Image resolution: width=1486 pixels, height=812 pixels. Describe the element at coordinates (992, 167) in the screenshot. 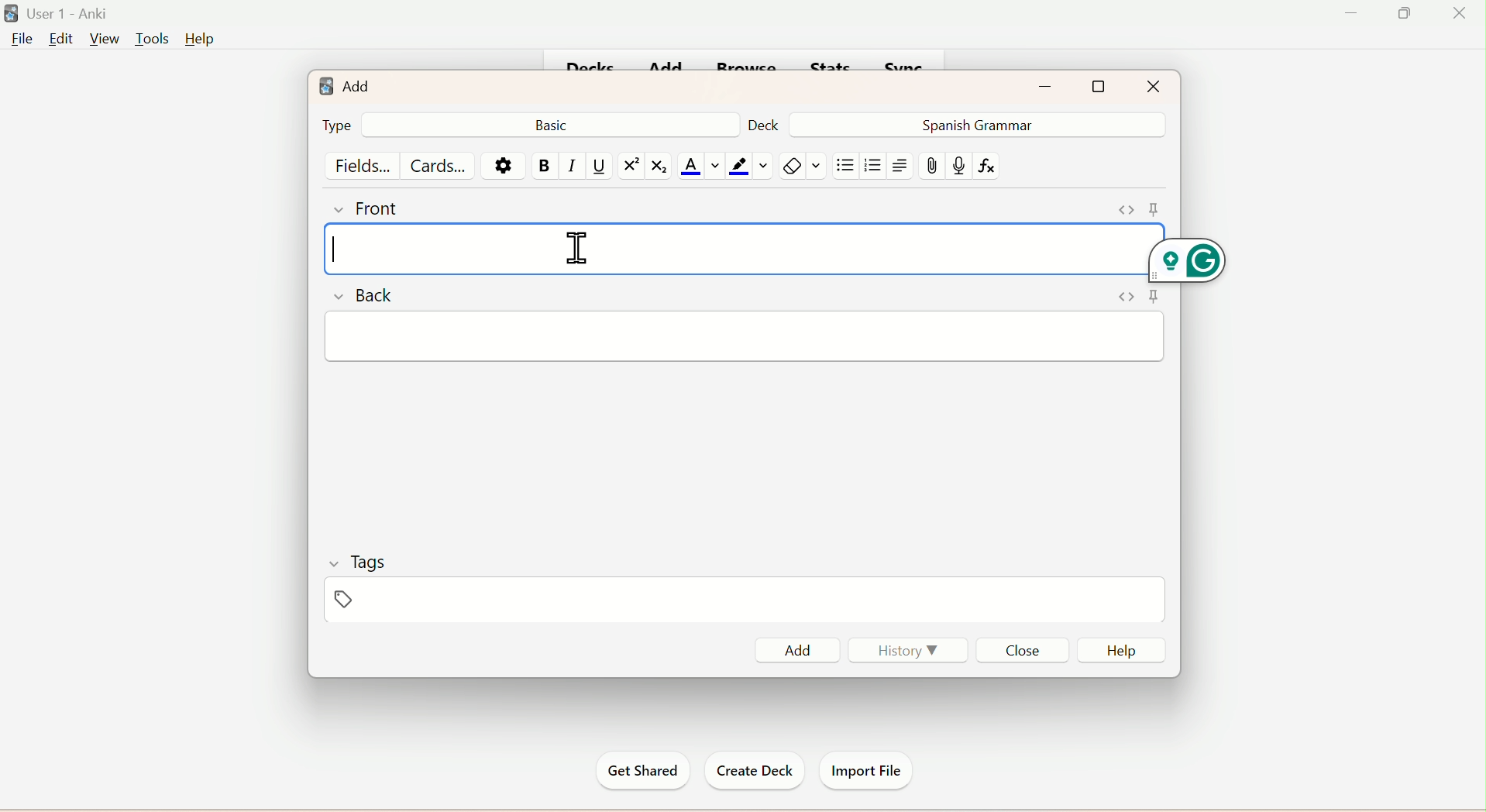

I see `fx` at that location.